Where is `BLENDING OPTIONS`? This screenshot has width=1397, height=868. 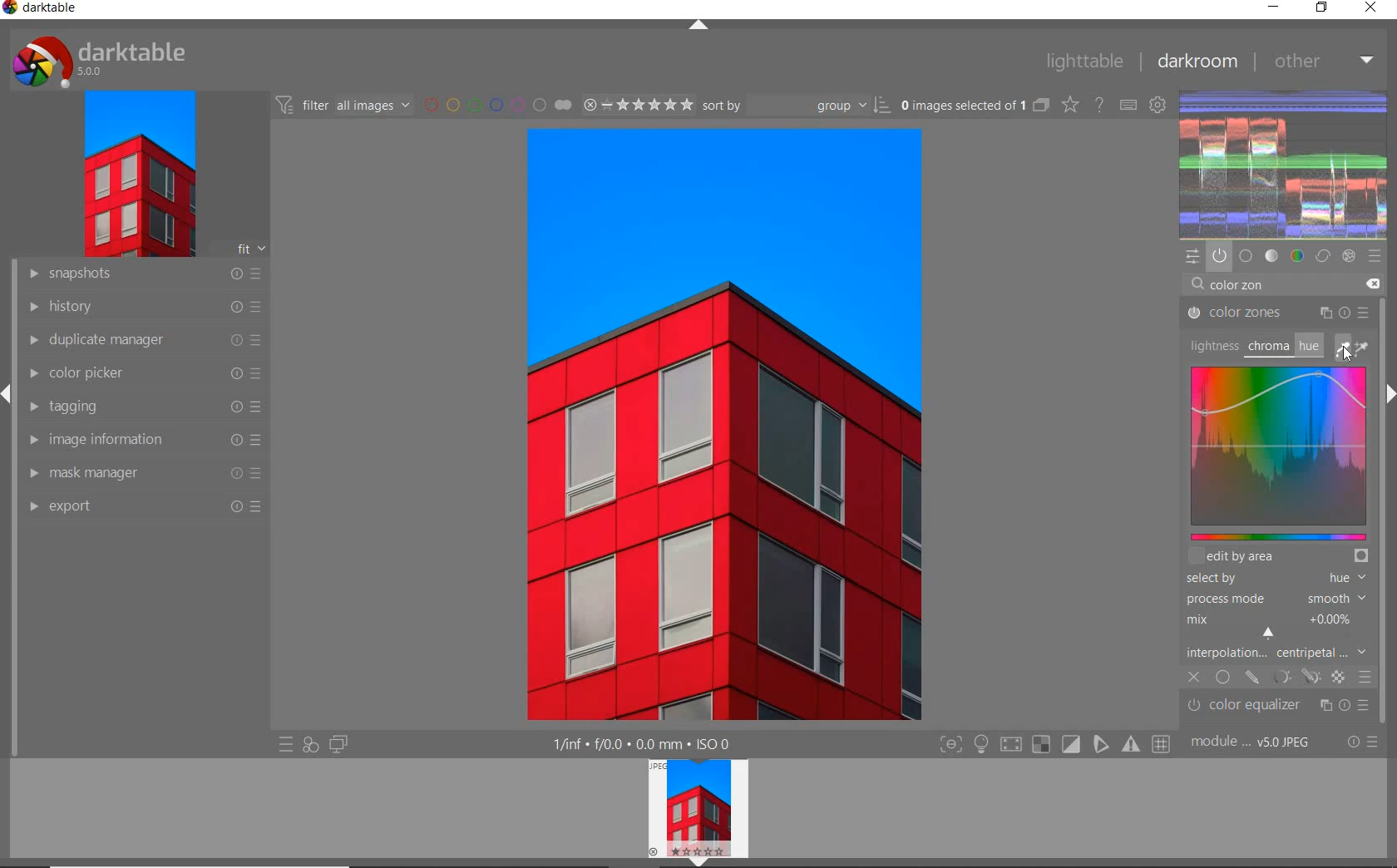 BLENDING OPTIONS is located at coordinates (1365, 676).